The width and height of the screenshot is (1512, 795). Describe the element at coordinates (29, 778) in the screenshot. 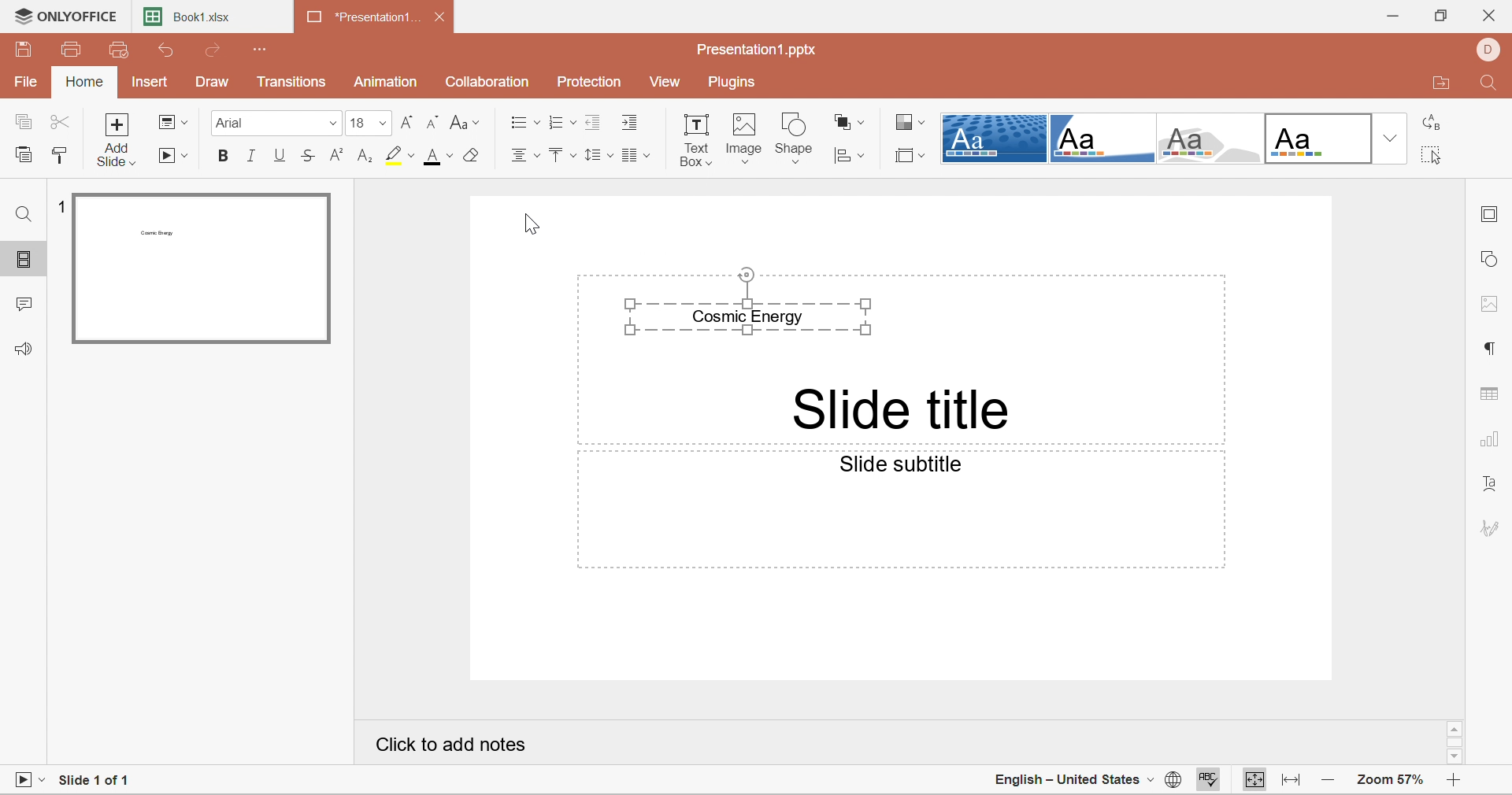

I see `Start slideshow` at that location.